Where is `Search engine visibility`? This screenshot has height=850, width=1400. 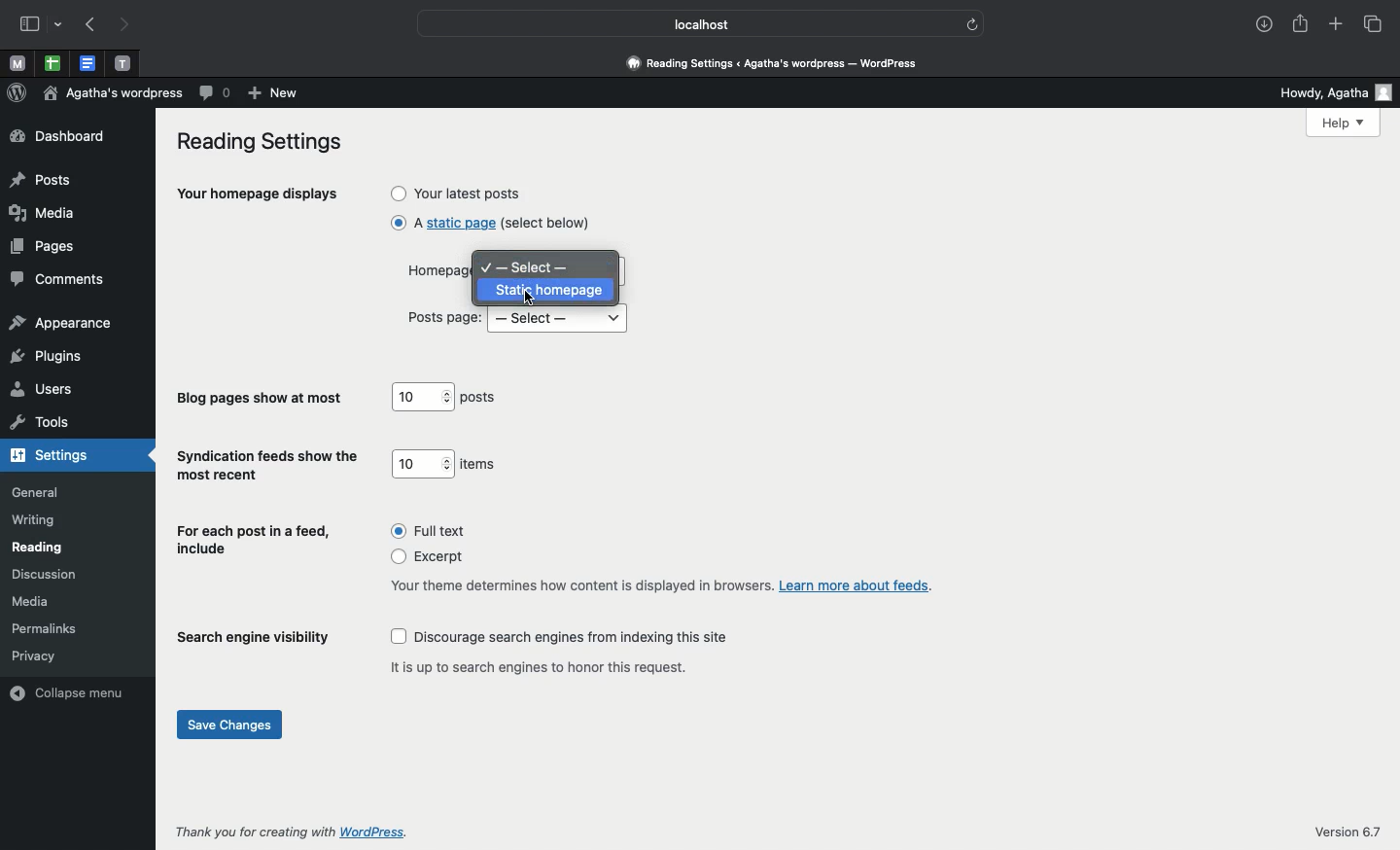
Search engine visibility is located at coordinates (254, 642).